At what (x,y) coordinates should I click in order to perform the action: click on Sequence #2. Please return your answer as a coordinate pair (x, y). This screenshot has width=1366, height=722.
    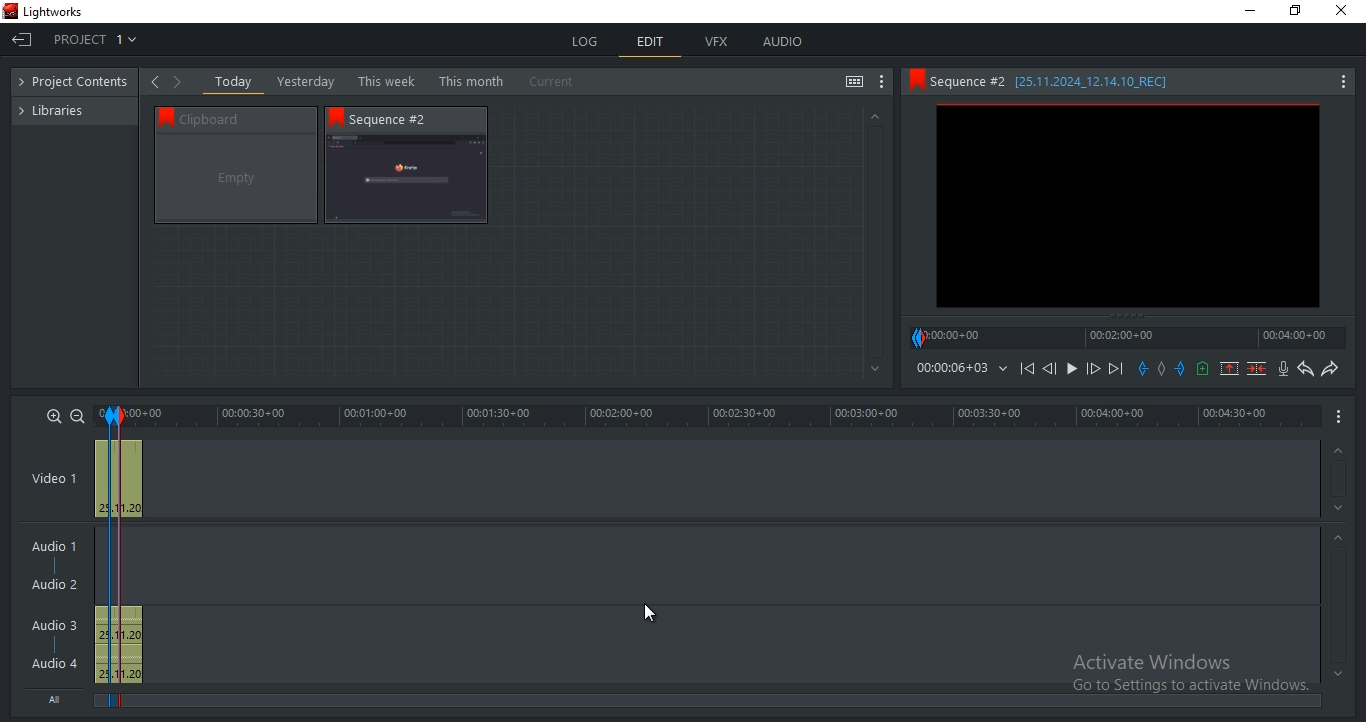
    Looking at the image, I should click on (399, 119).